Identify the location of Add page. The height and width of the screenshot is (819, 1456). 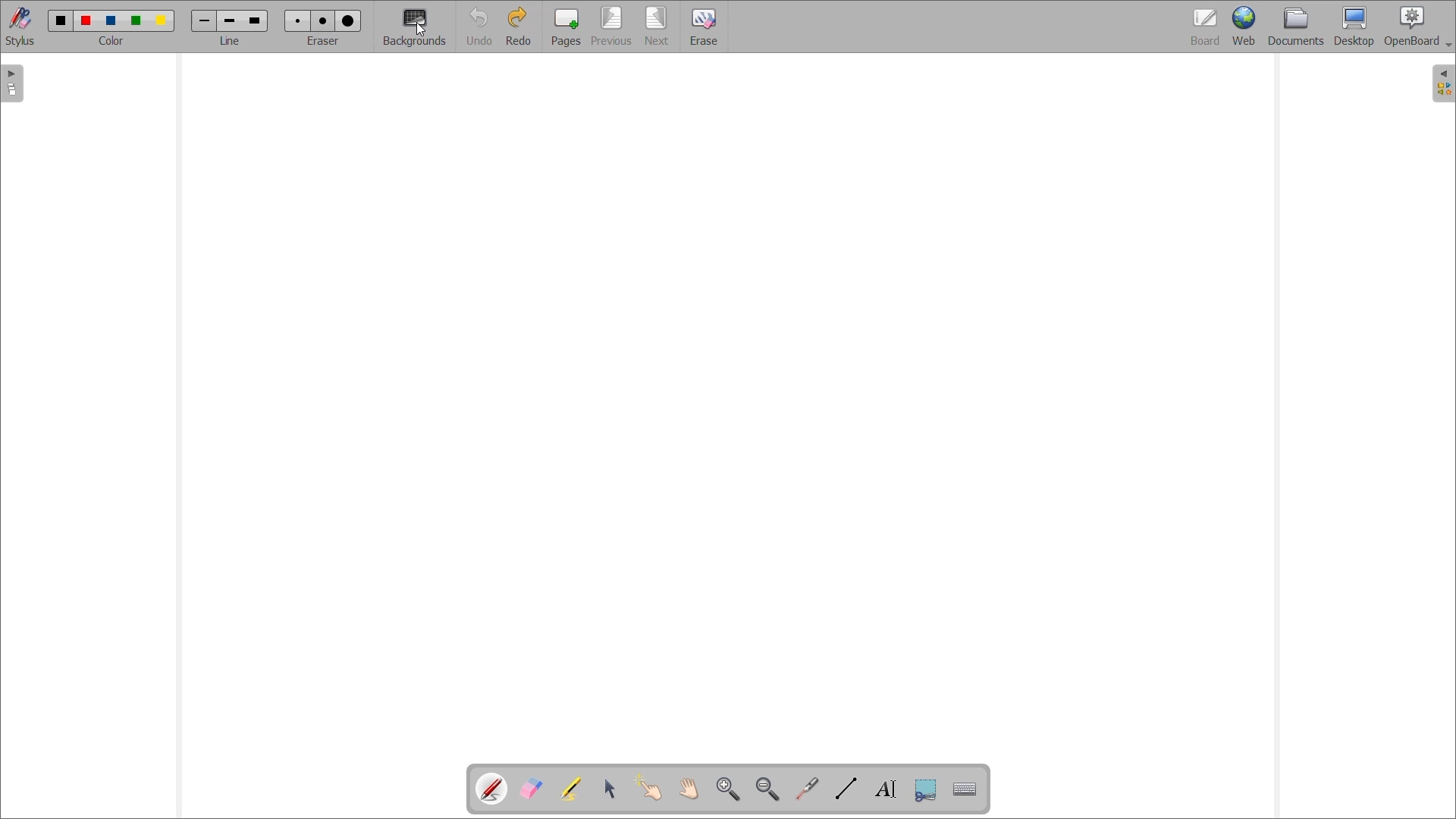
(566, 27).